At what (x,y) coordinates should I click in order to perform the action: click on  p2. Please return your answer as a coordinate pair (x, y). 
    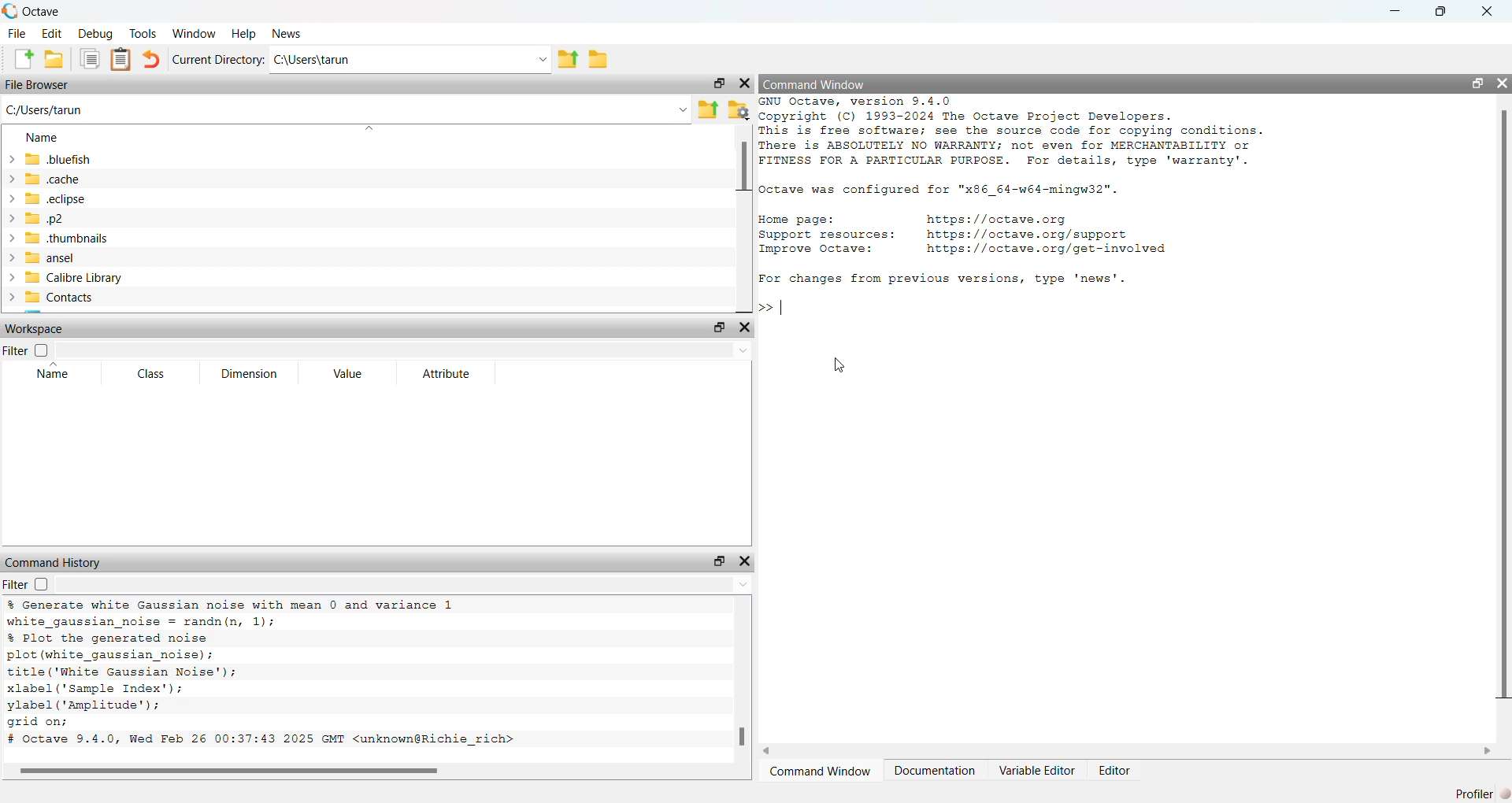
    Looking at the image, I should click on (46, 220).